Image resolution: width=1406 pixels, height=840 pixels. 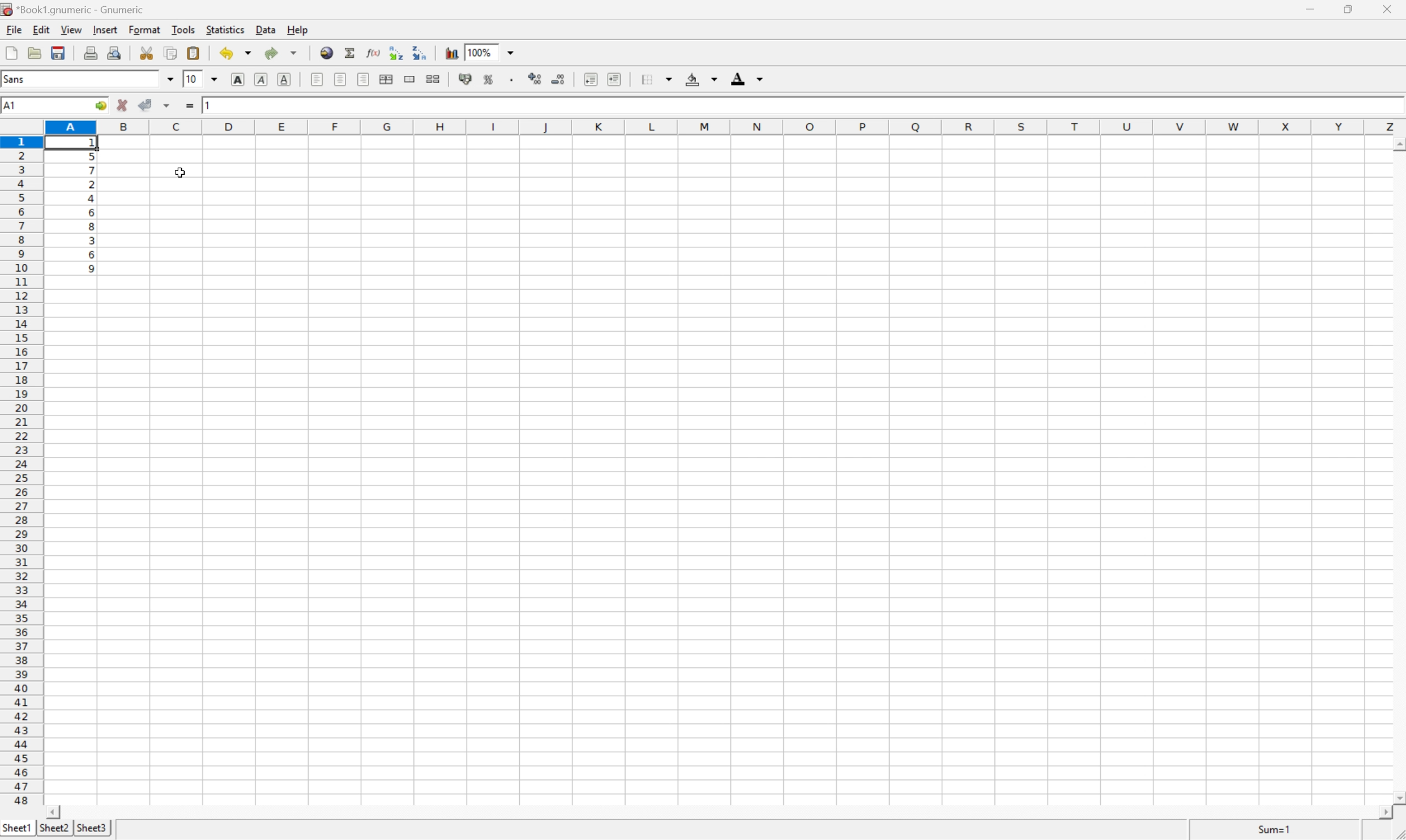 I want to click on center horizontally, so click(x=388, y=79).